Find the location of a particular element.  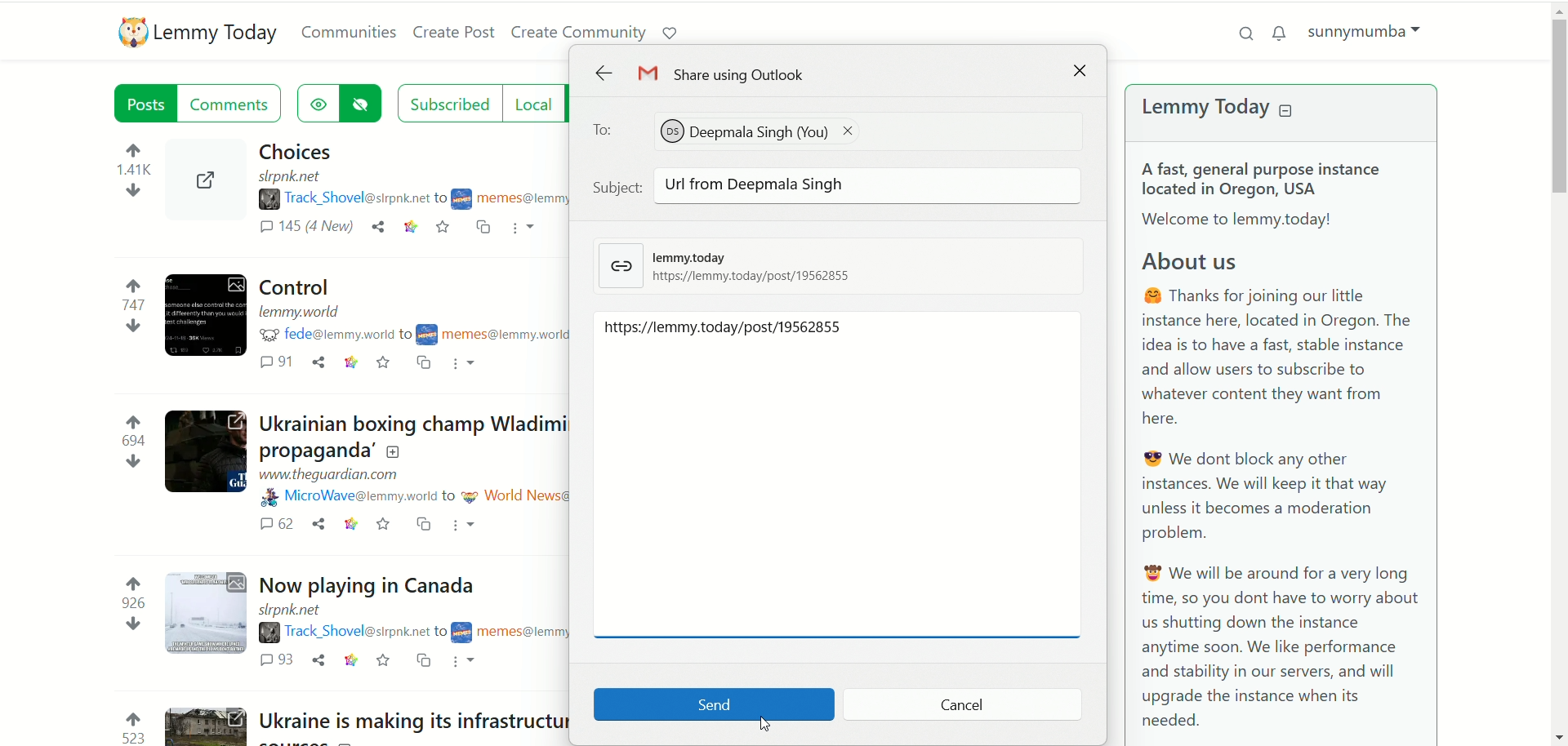

local is located at coordinates (532, 102).